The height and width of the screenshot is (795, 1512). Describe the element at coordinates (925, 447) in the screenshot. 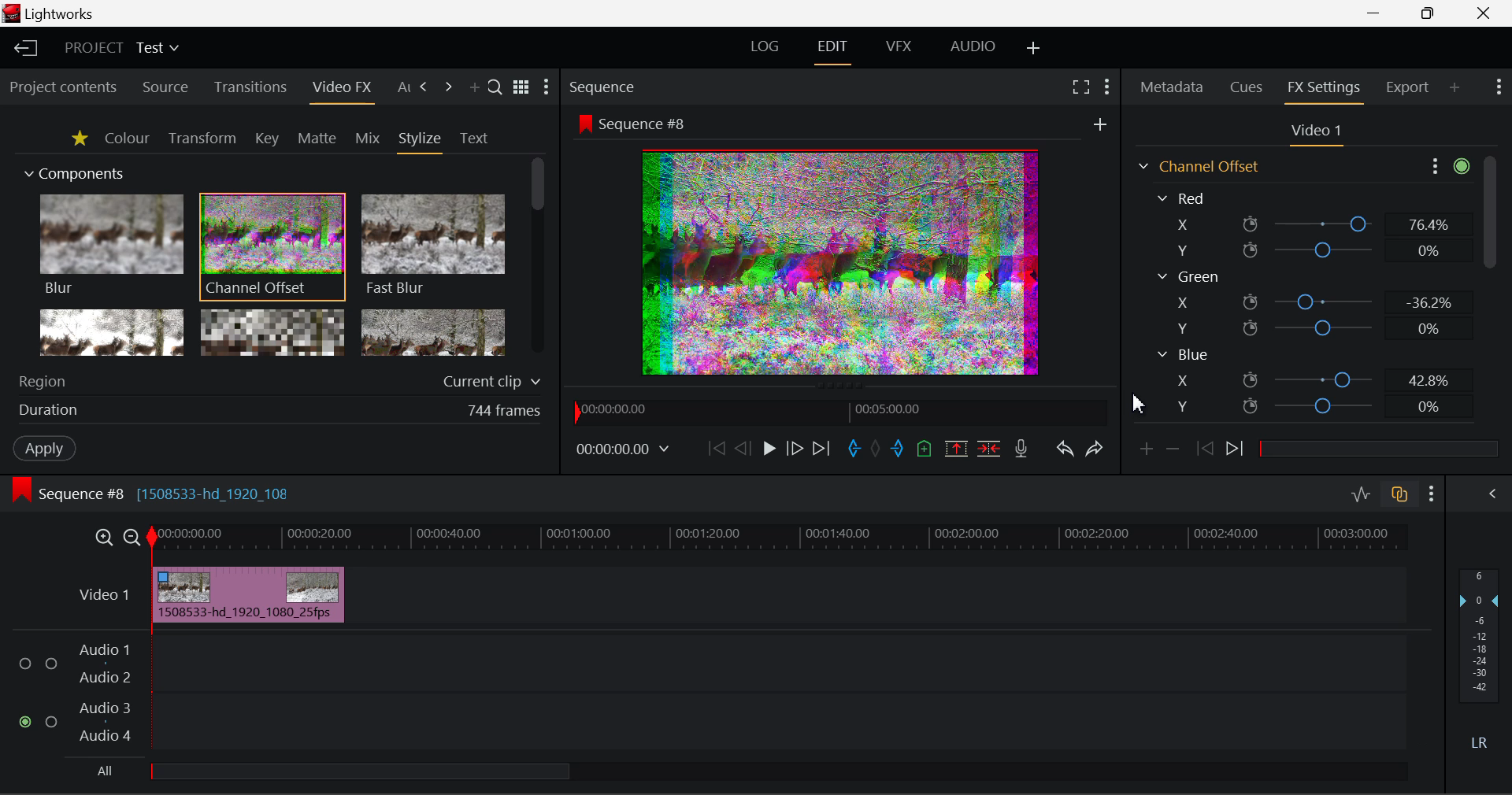

I see `Mark Cue` at that location.